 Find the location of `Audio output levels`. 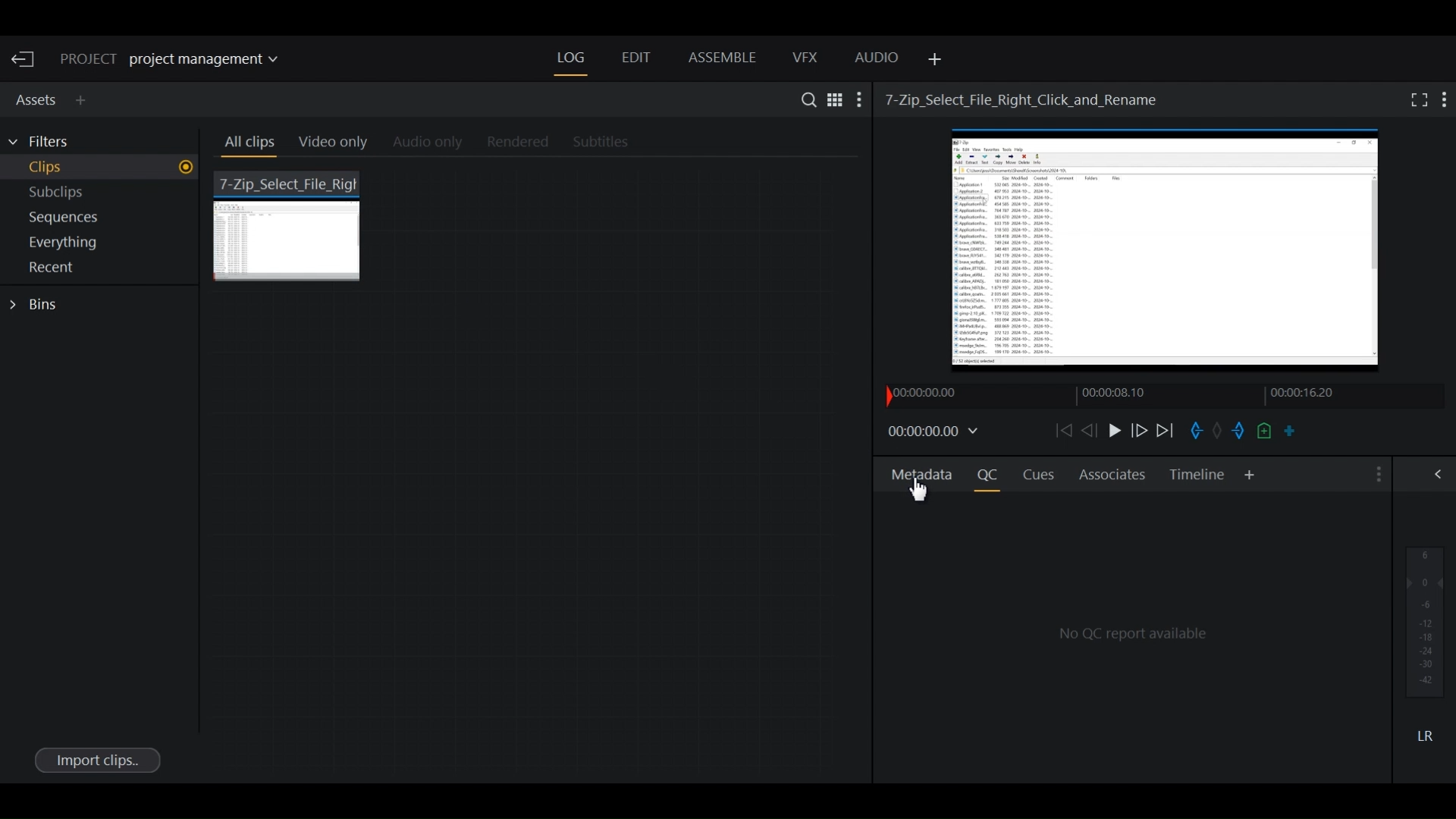

Audio output levels is located at coordinates (1425, 621).